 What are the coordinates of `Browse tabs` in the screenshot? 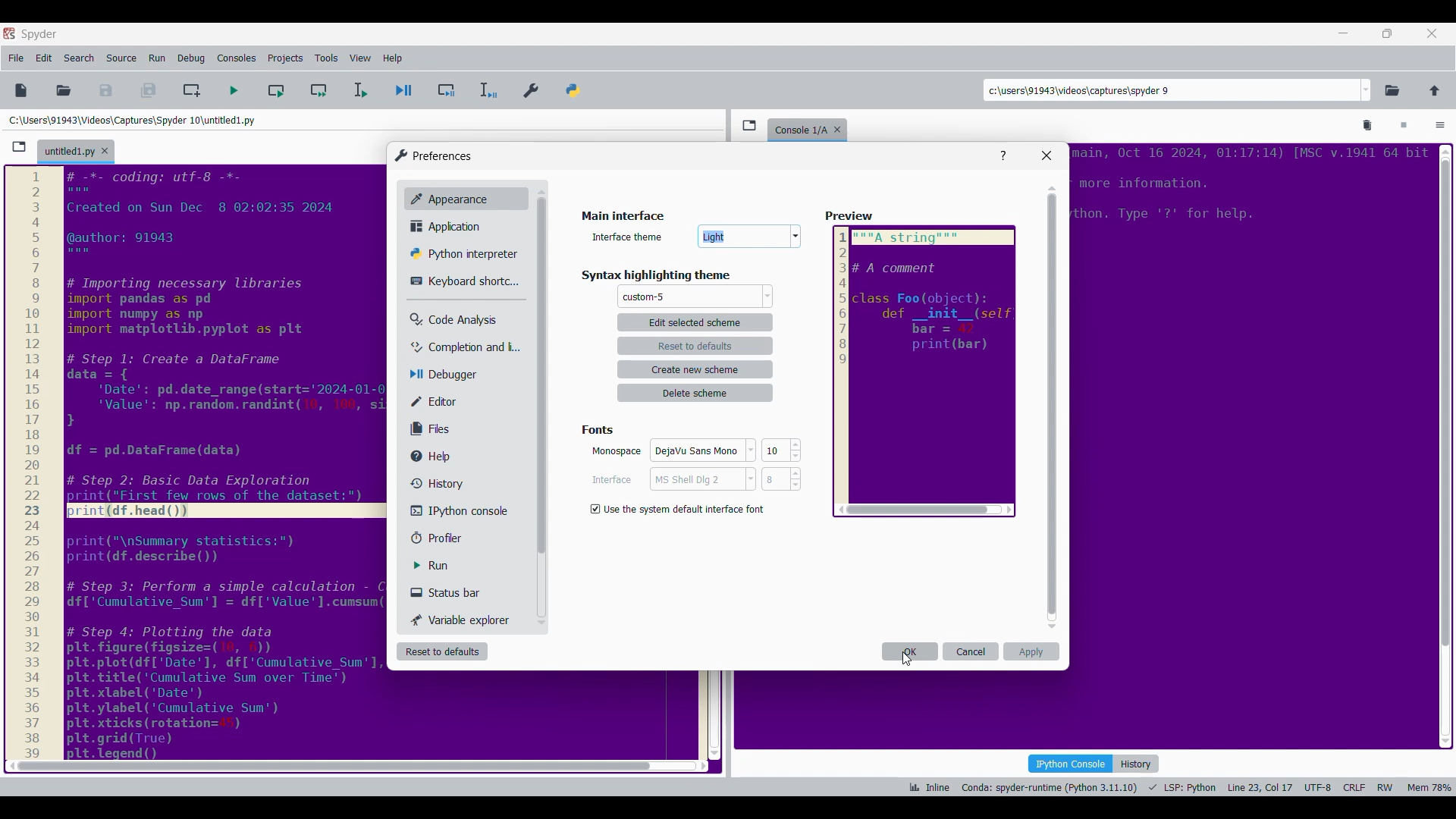 It's located at (19, 147).